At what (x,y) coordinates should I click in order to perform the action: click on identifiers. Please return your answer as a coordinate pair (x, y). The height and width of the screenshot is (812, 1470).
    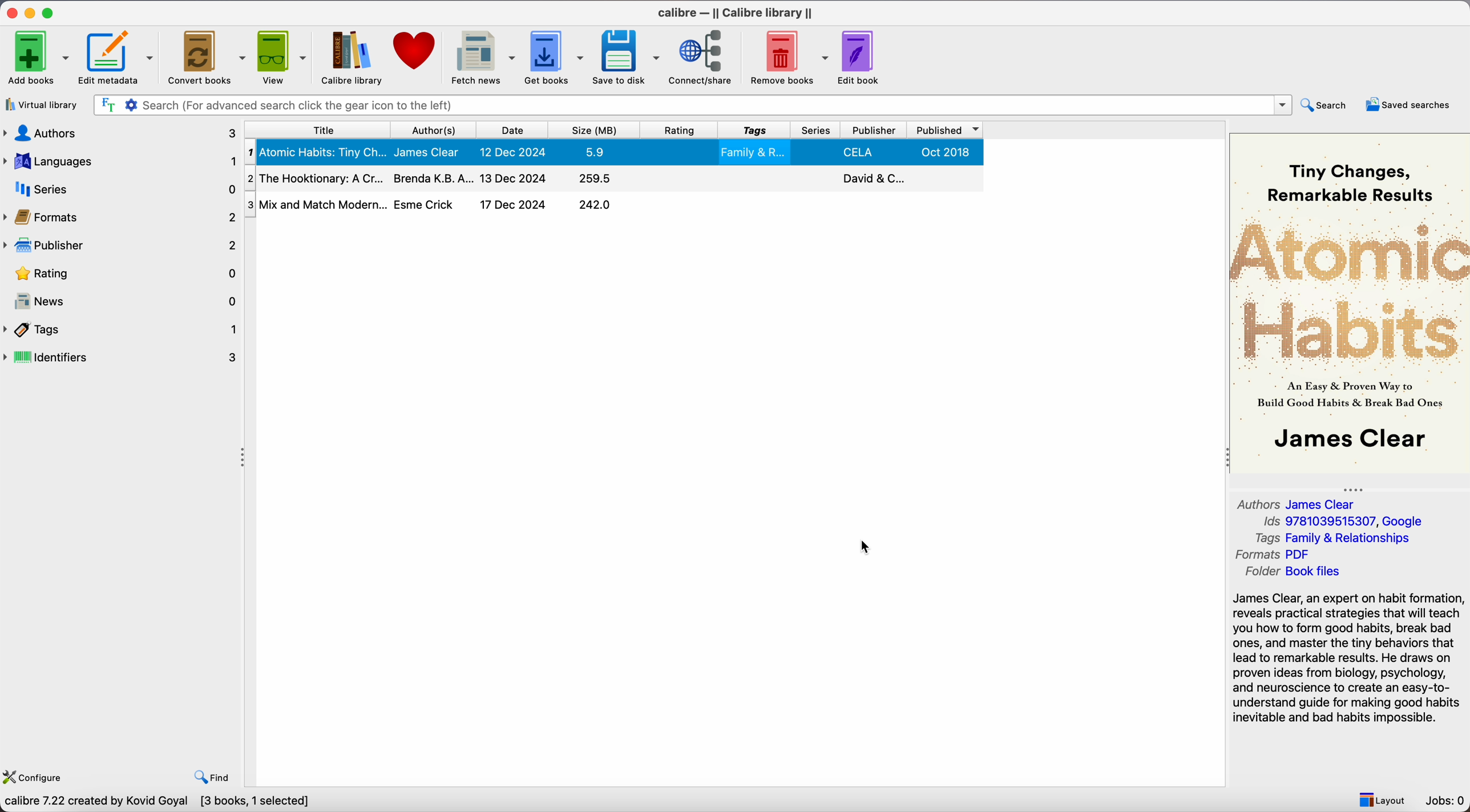
    Looking at the image, I should click on (122, 357).